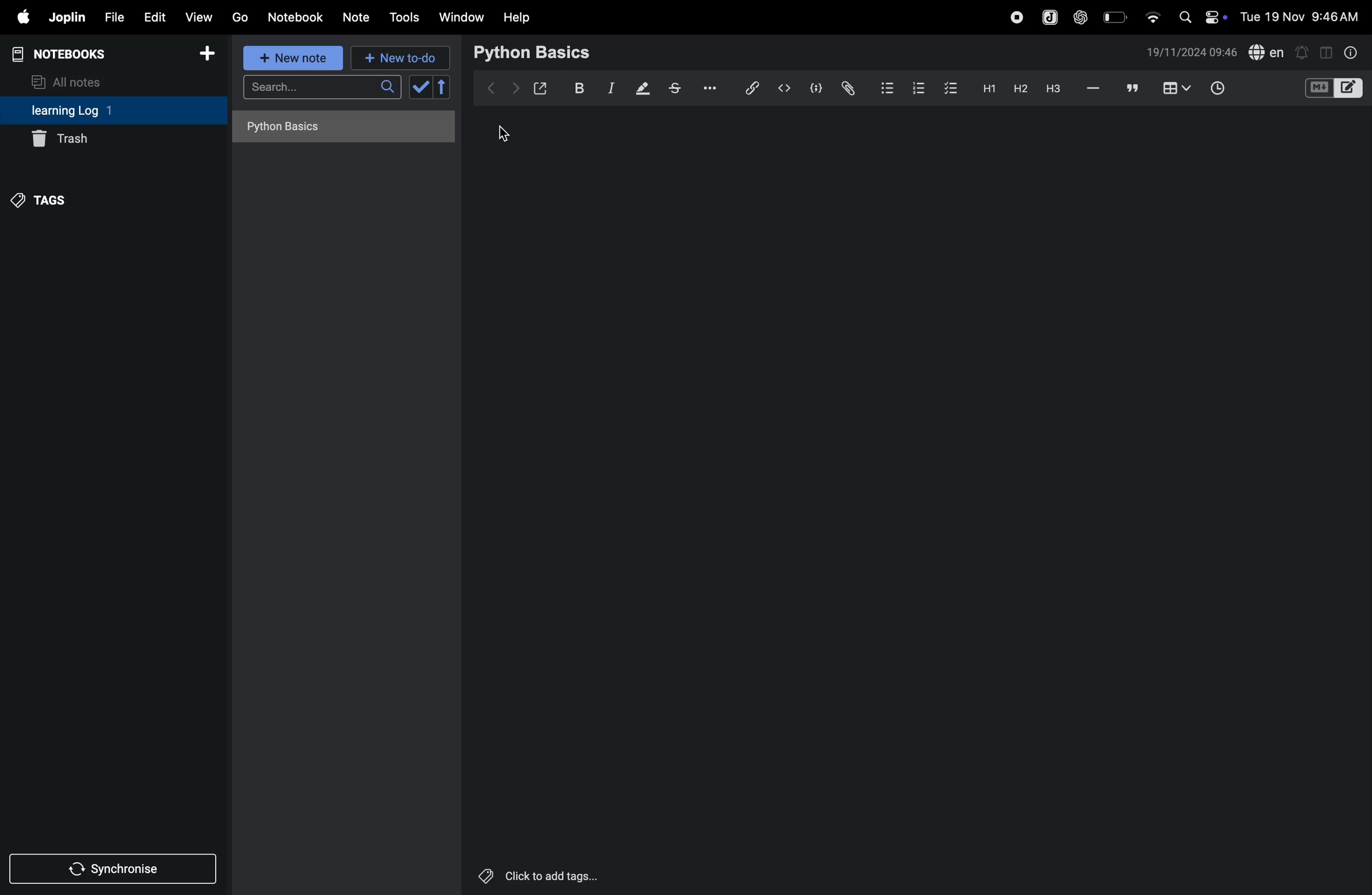 This screenshot has width=1372, height=895. I want to click on tags, so click(42, 198).